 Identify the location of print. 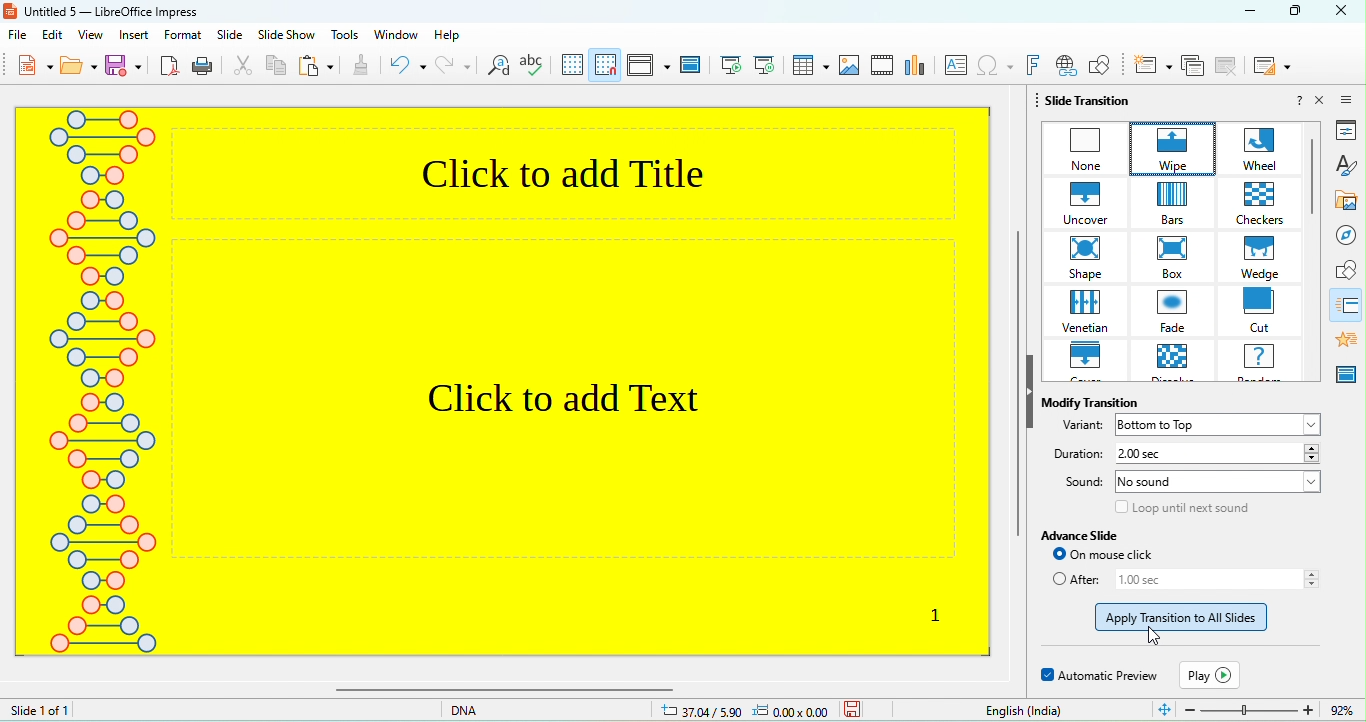
(205, 68).